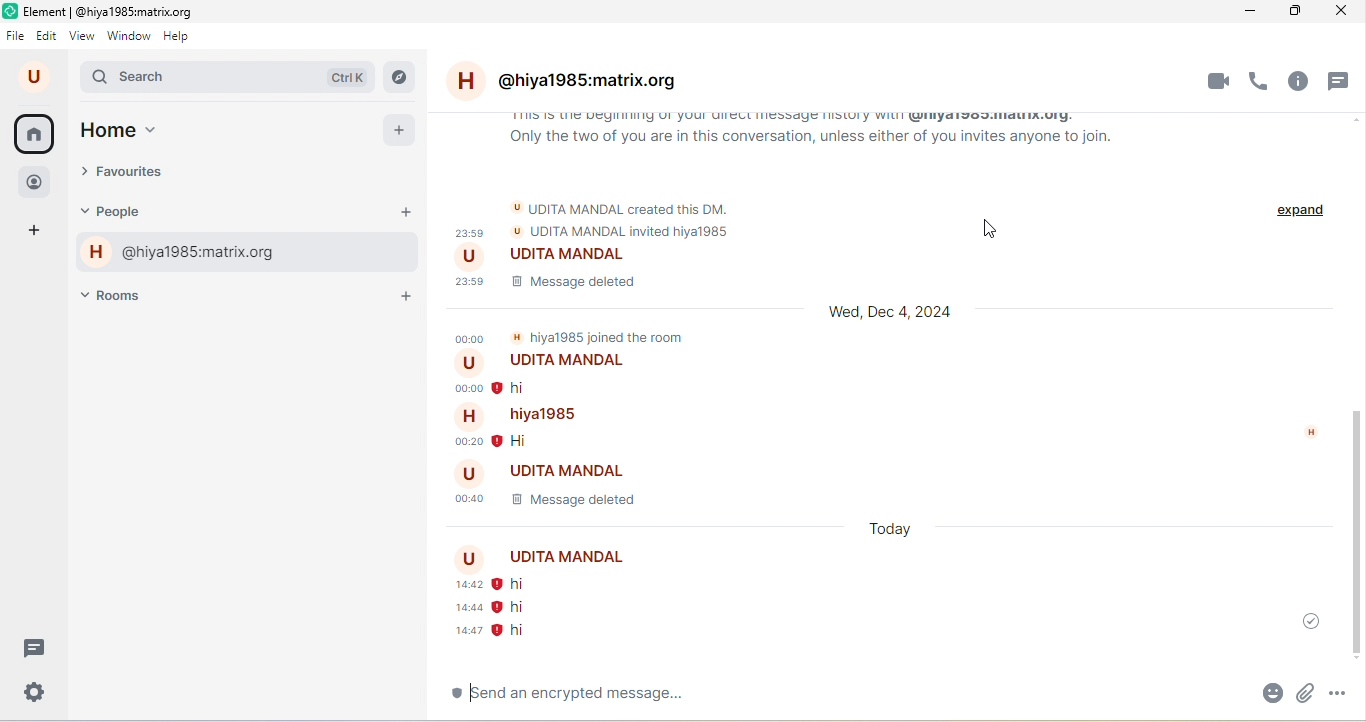 Image resolution: width=1366 pixels, height=722 pixels. I want to click on file, so click(16, 34).